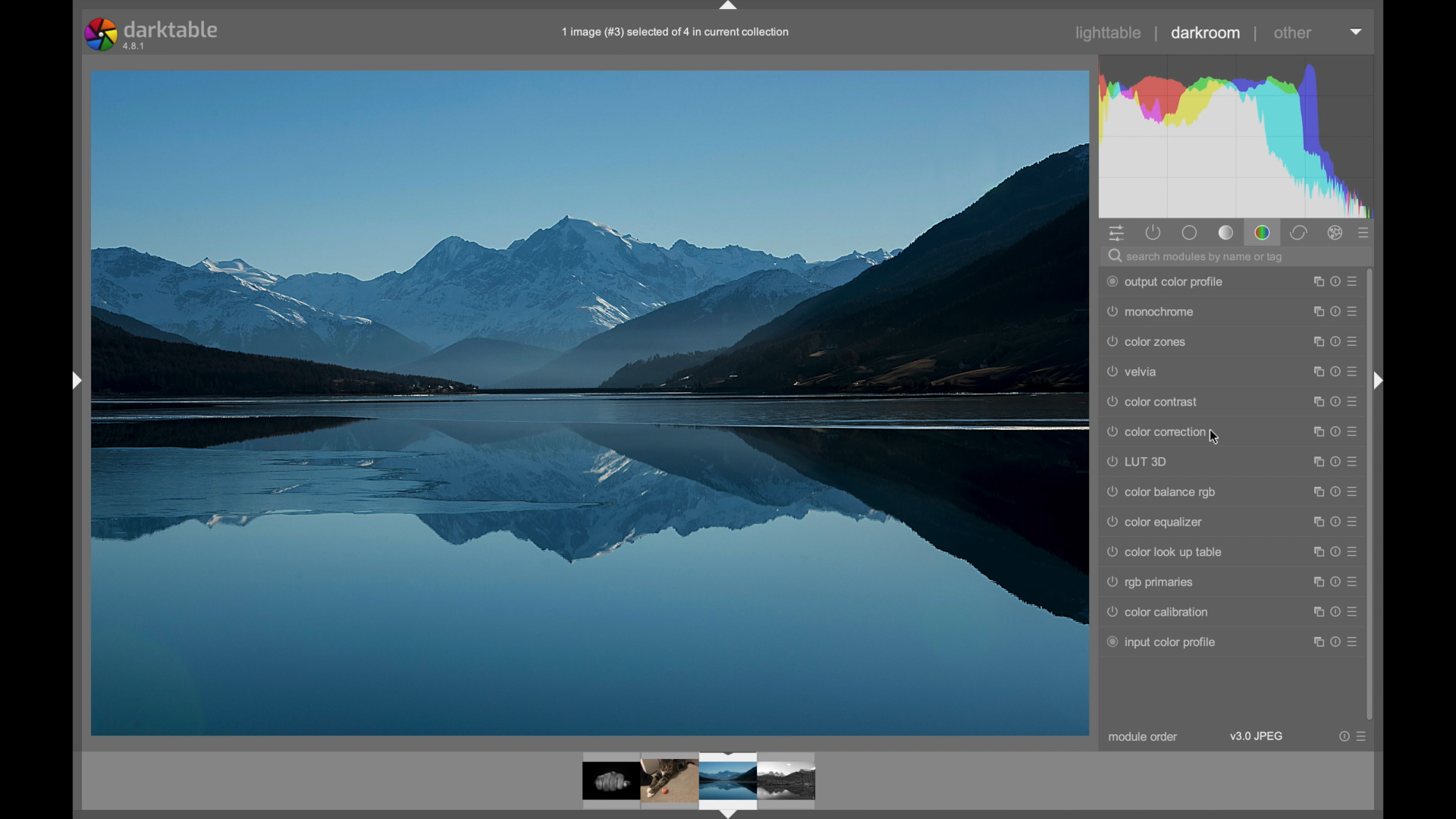  Describe the element at coordinates (728, 8) in the screenshot. I see `drag handle` at that location.